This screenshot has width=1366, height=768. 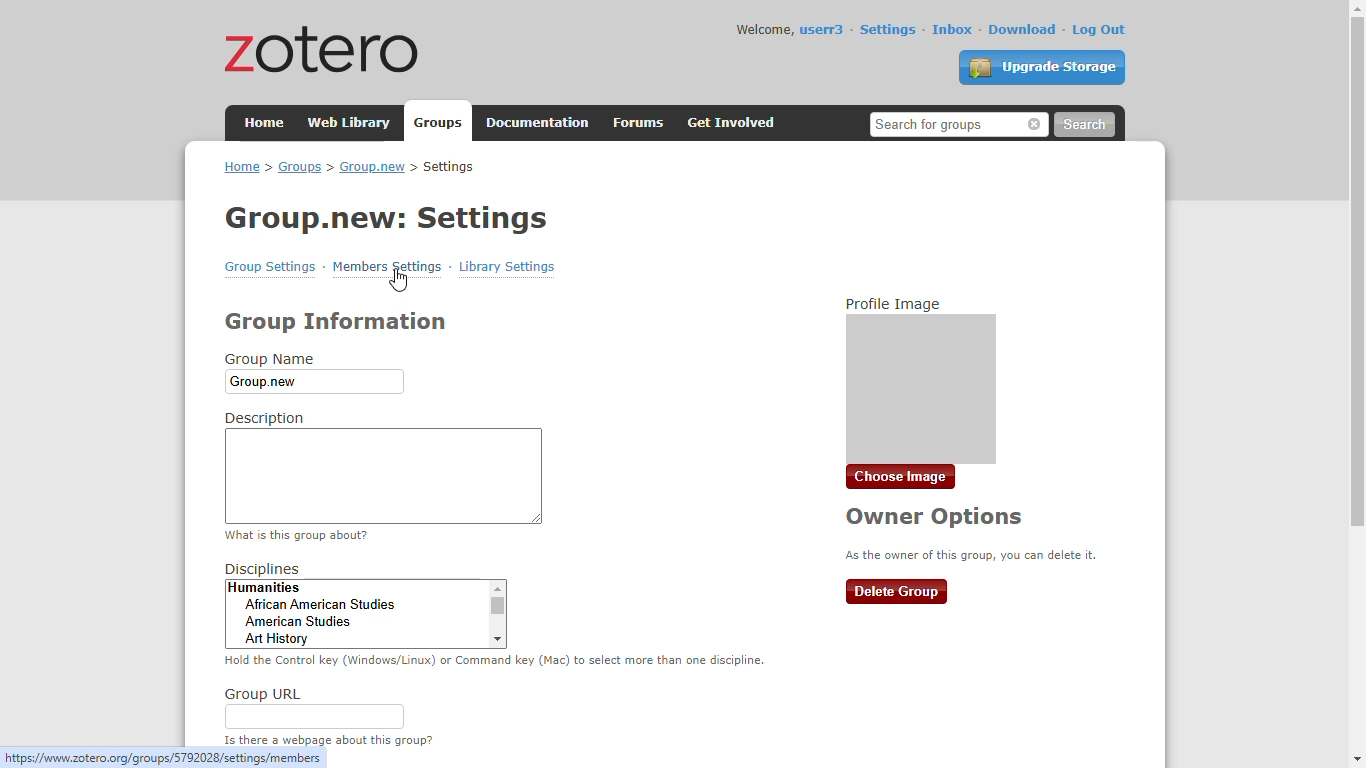 I want to click on cursor, so click(x=400, y=281).